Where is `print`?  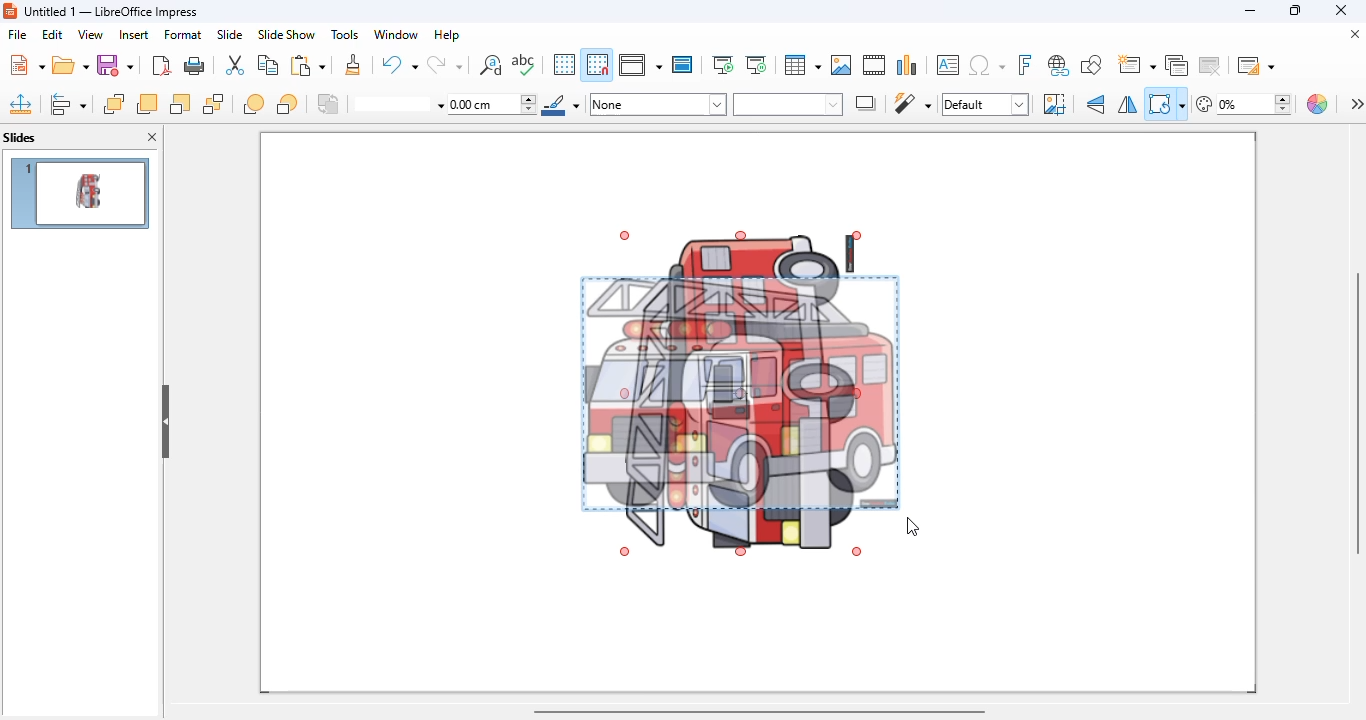 print is located at coordinates (196, 66).